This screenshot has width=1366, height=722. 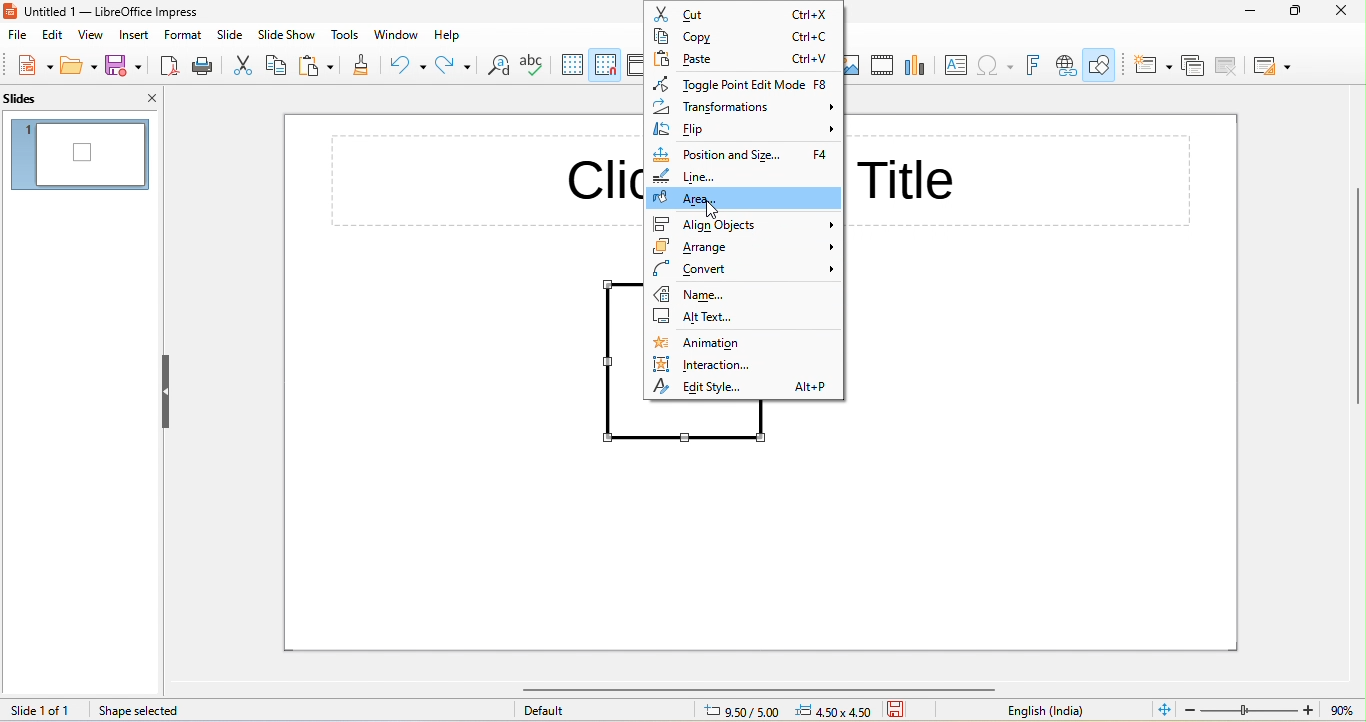 I want to click on export pdf, so click(x=169, y=65).